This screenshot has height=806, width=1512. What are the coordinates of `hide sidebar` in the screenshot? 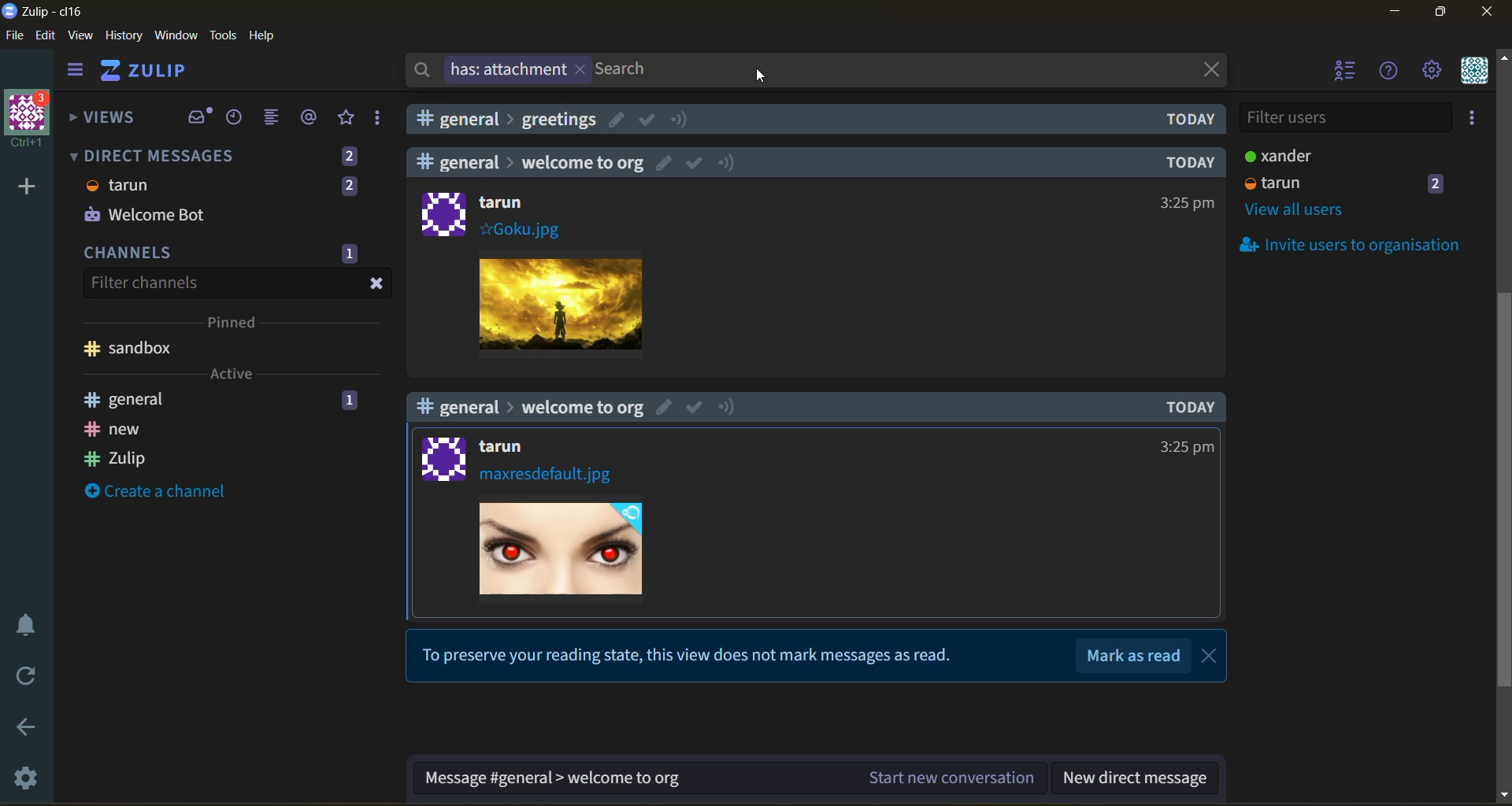 It's located at (76, 72).